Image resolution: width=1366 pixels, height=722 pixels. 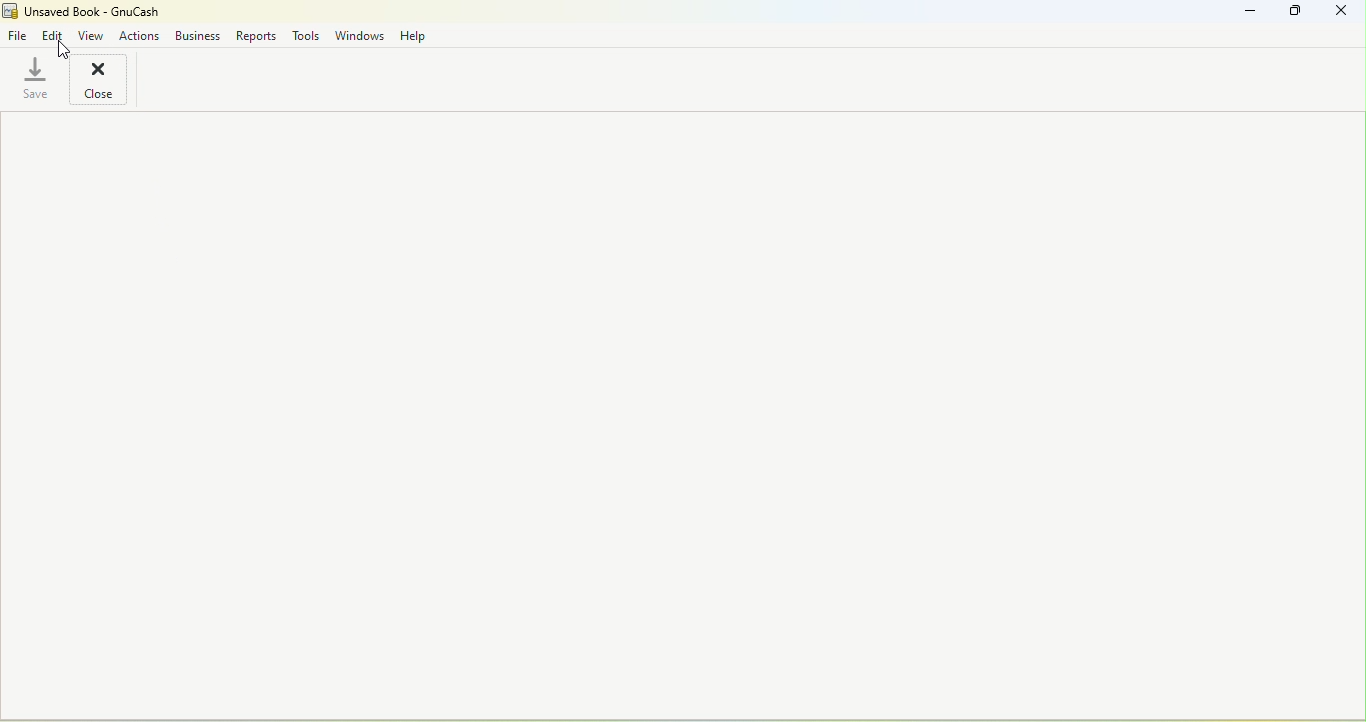 I want to click on Actions, so click(x=139, y=35).